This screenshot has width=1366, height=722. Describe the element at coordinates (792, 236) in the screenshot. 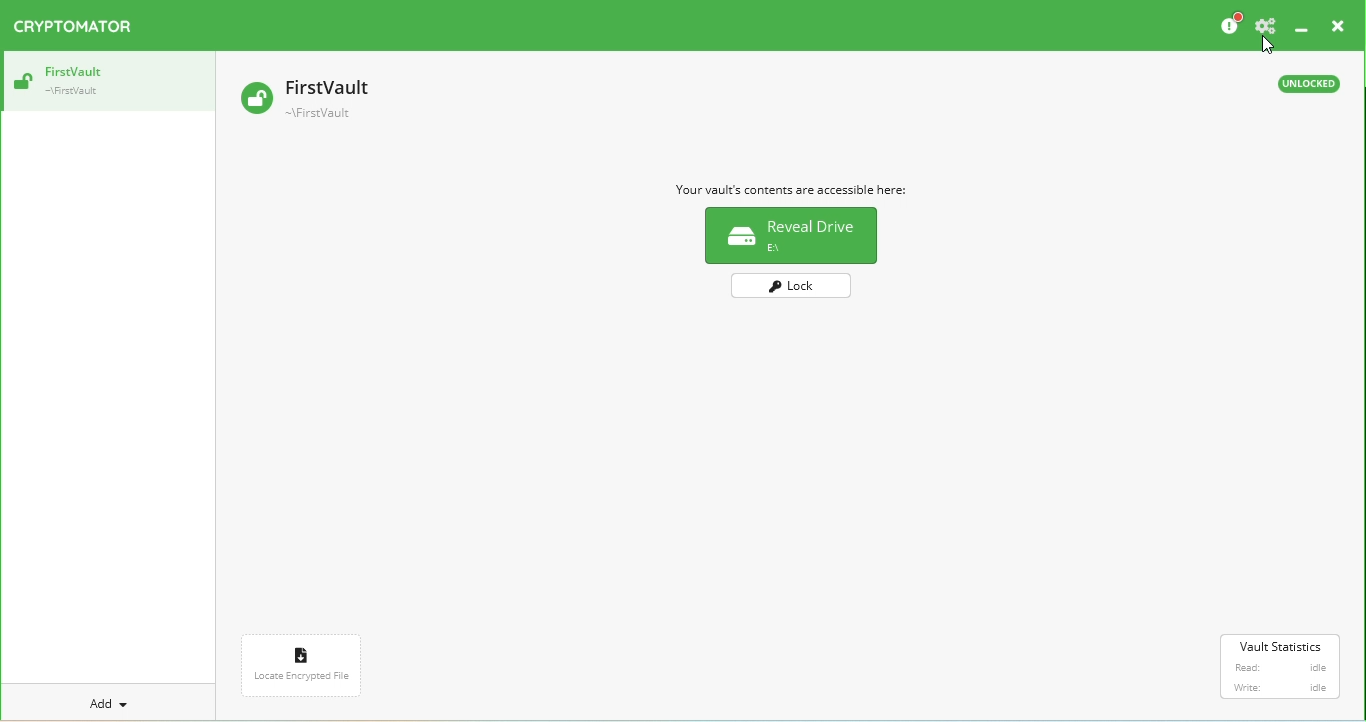

I see `Reveal drive` at that location.